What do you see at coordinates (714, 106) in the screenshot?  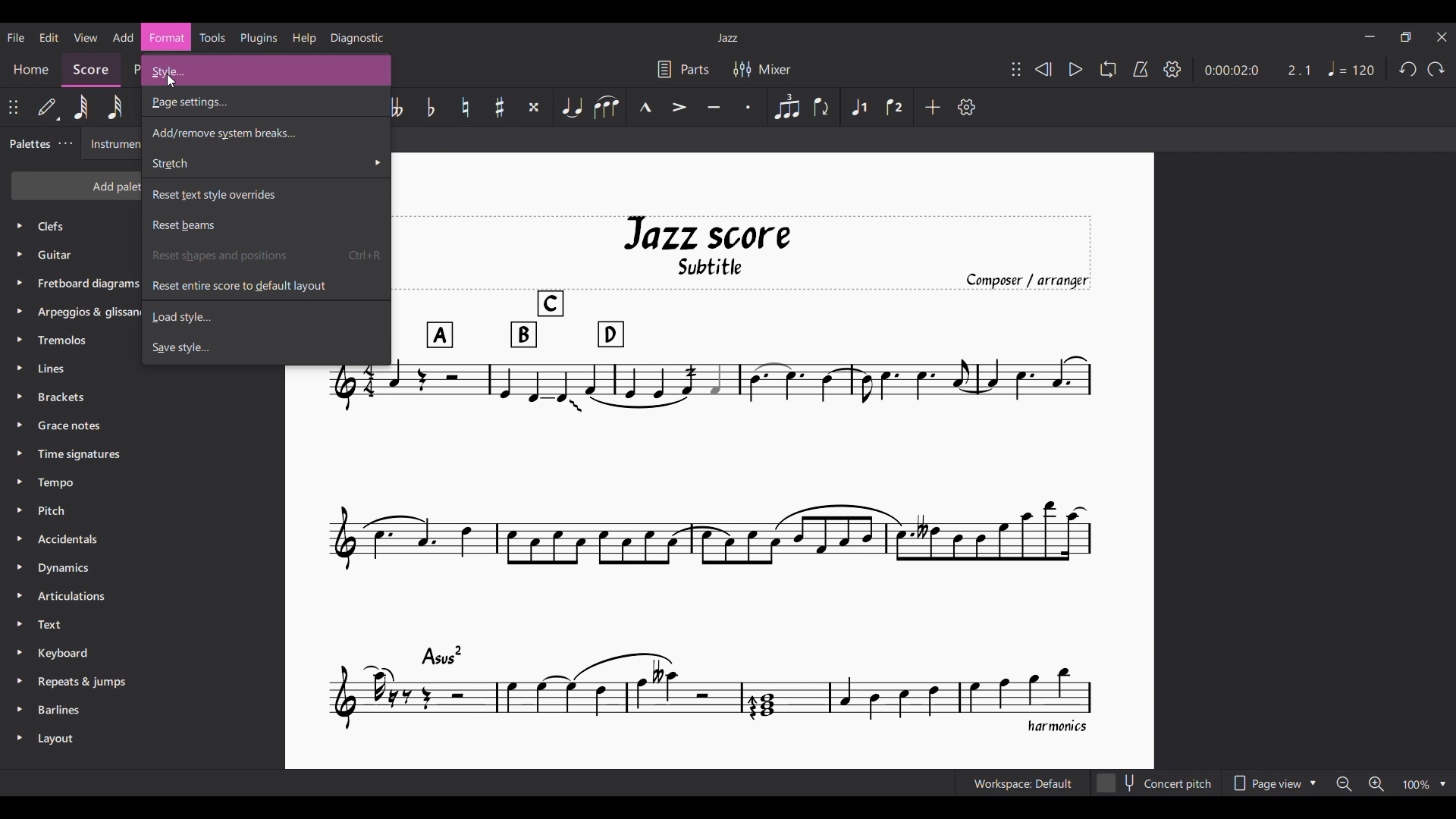 I see `Tenuto` at bounding box center [714, 106].